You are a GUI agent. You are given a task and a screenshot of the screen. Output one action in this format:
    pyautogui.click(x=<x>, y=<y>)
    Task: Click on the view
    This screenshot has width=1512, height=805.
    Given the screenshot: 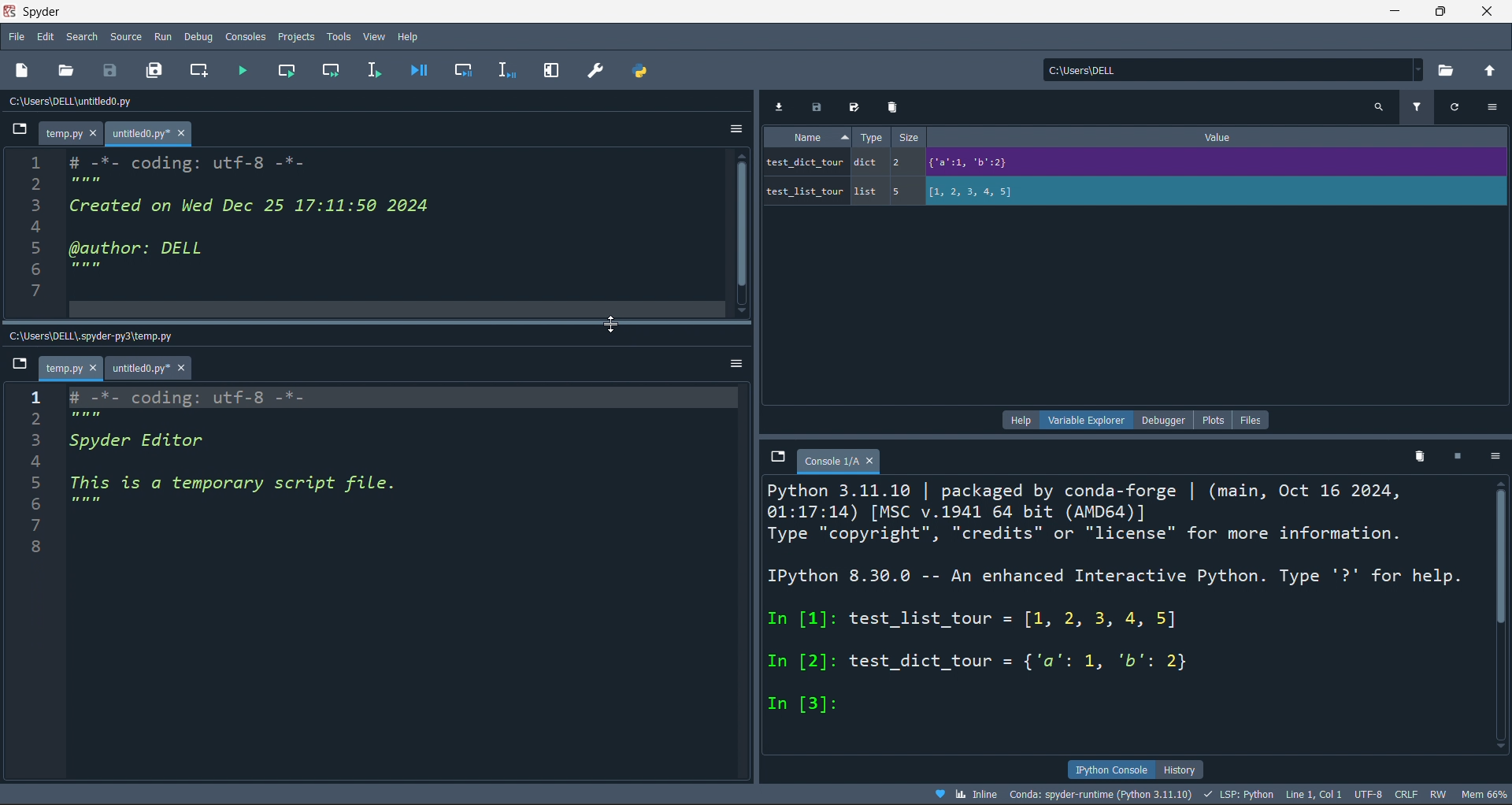 What is the action you would take?
    pyautogui.click(x=371, y=35)
    